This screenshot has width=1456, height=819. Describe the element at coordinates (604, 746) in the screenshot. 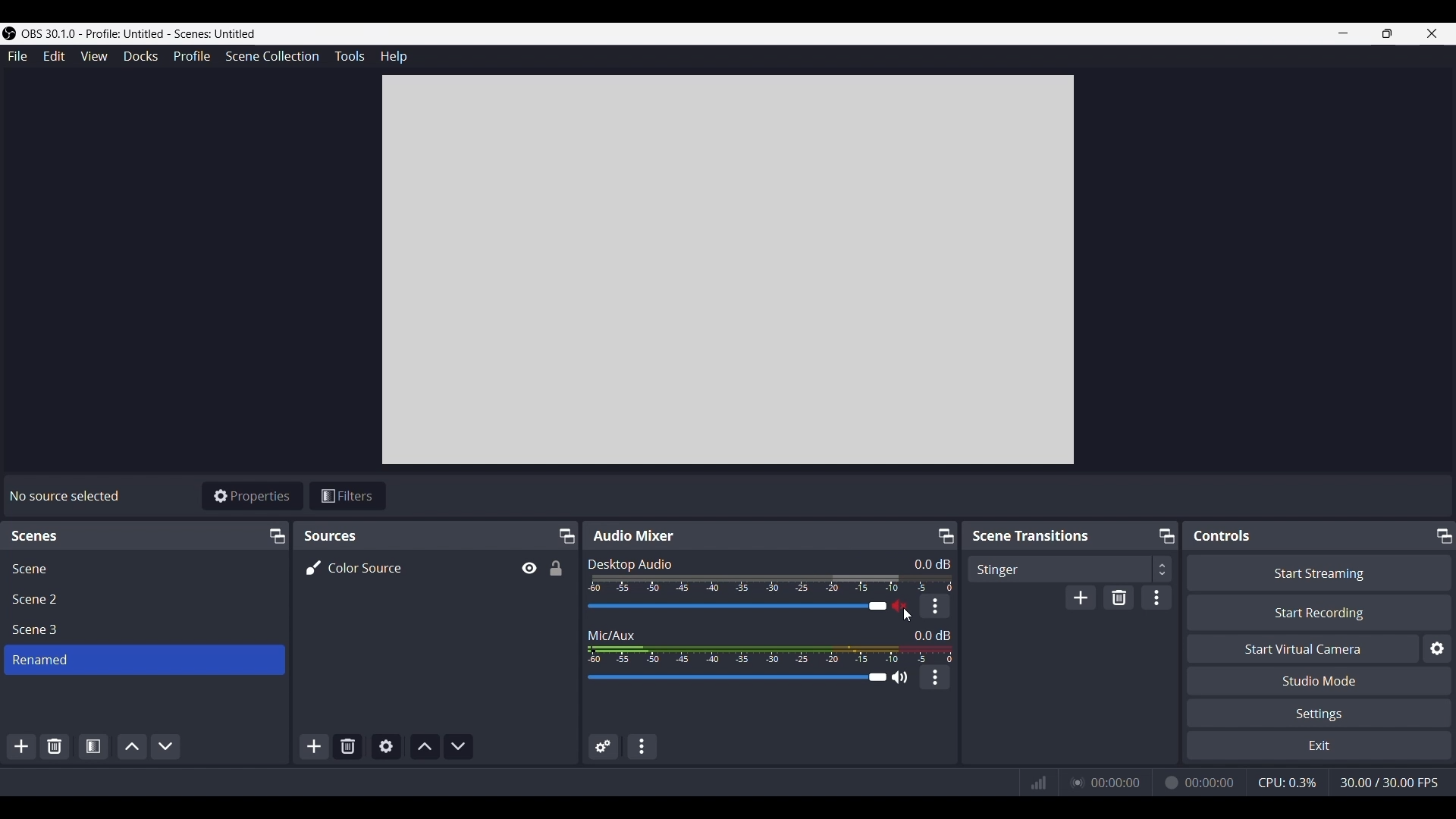

I see `Advanced audio properties` at that location.